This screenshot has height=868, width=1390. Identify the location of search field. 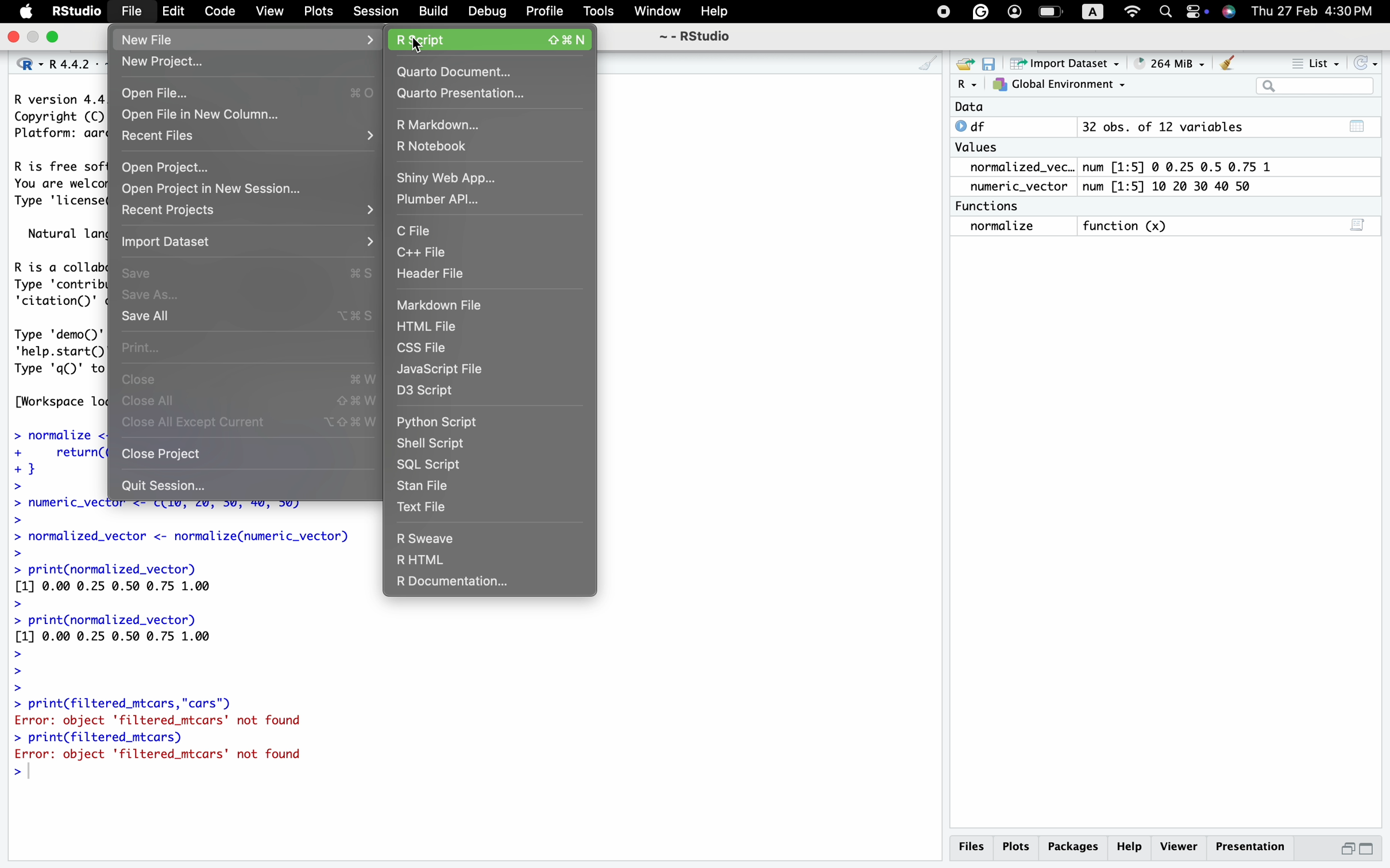
(1319, 86).